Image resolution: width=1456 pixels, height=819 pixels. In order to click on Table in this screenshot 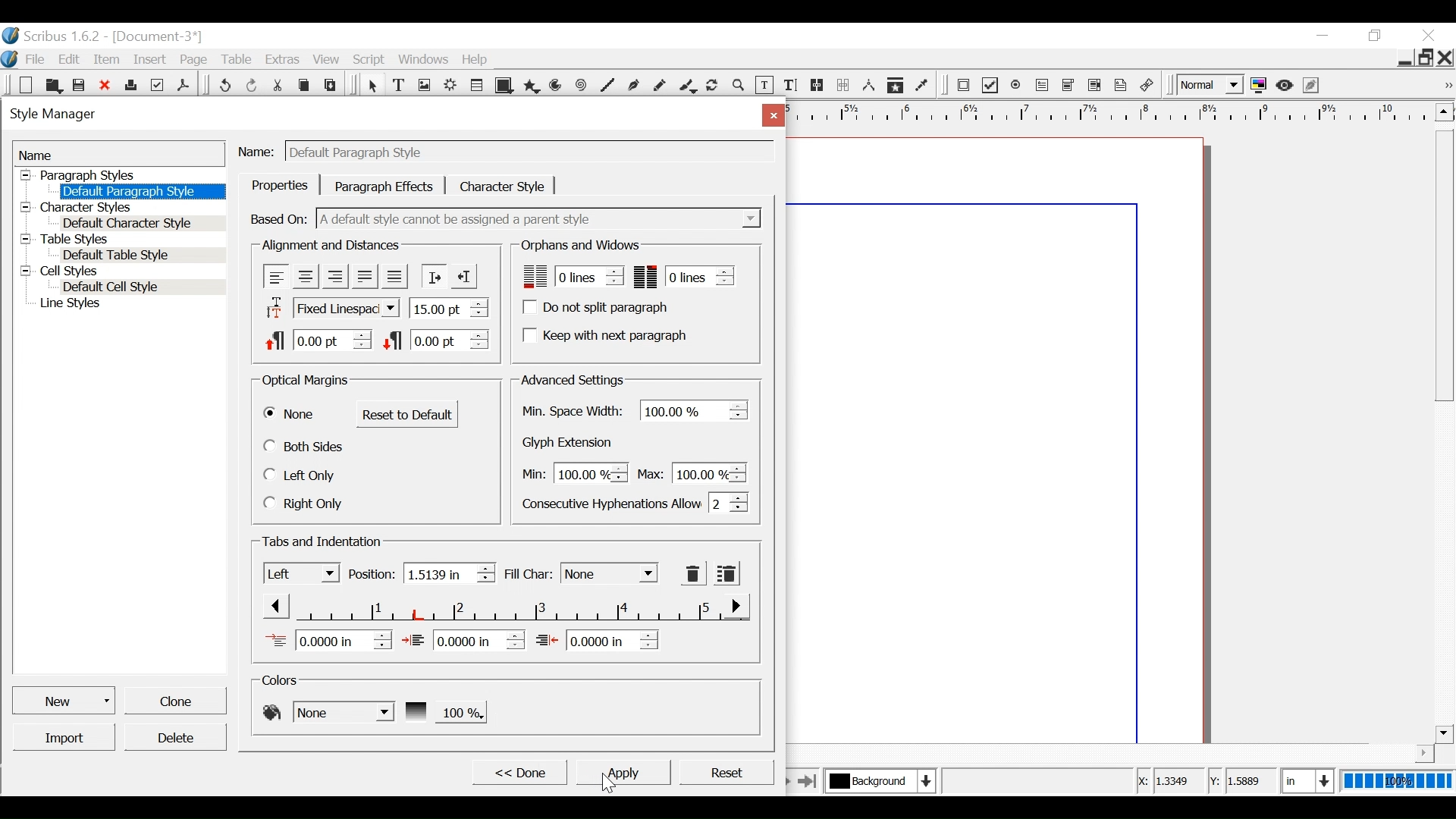, I will do `click(237, 60)`.